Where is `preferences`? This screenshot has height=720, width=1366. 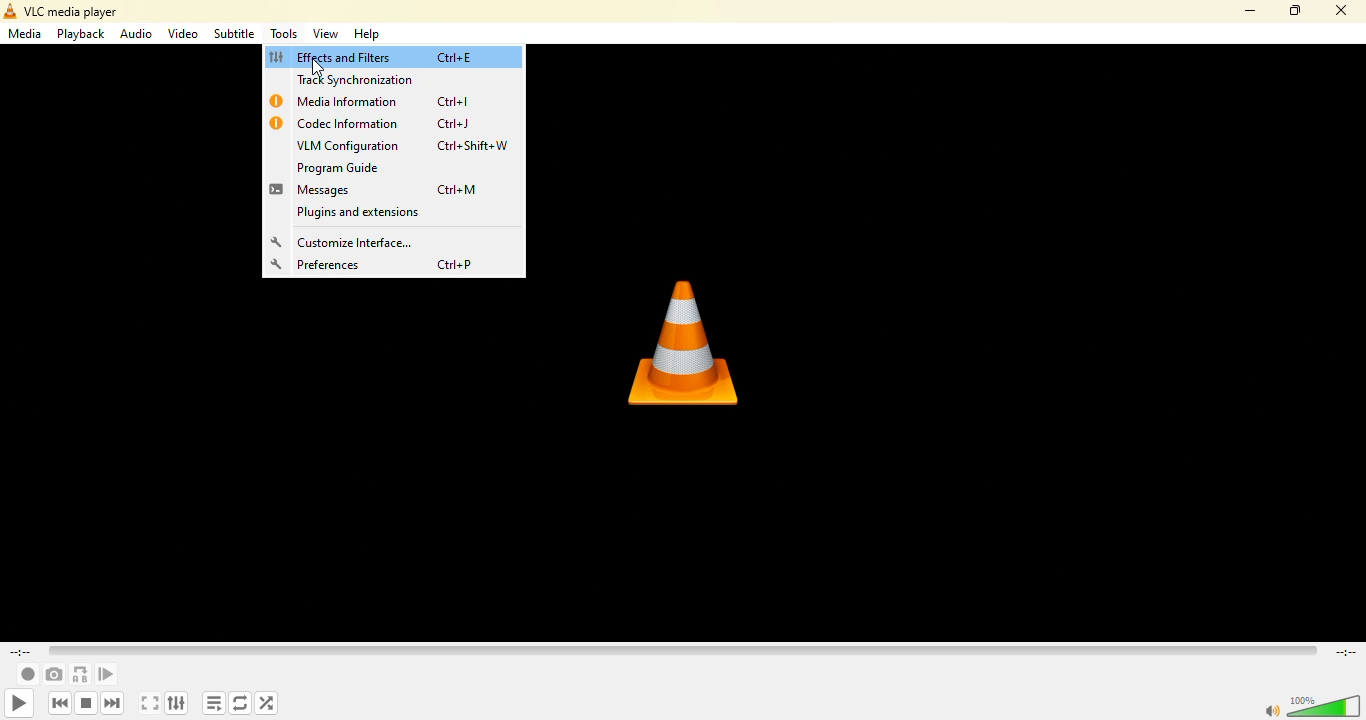 preferences is located at coordinates (339, 265).